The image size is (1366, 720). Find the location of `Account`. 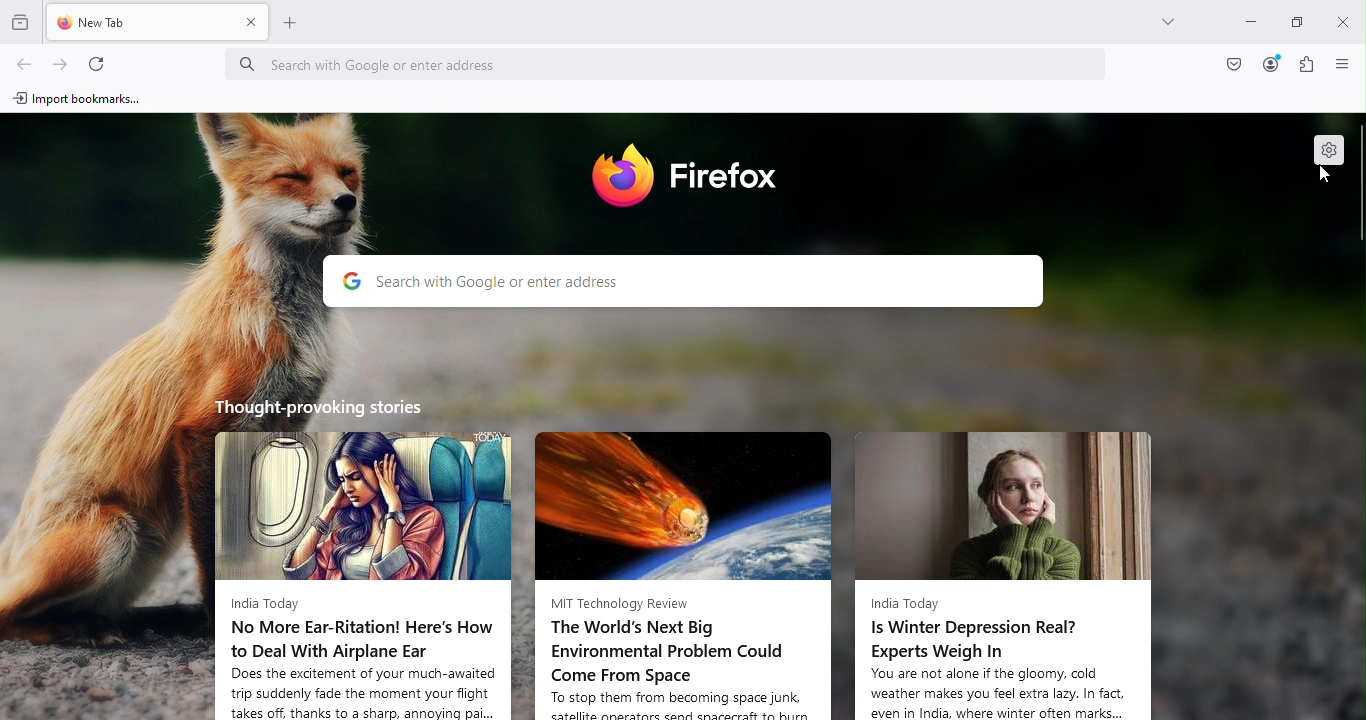

Account is located at coordinates (1269, 64).